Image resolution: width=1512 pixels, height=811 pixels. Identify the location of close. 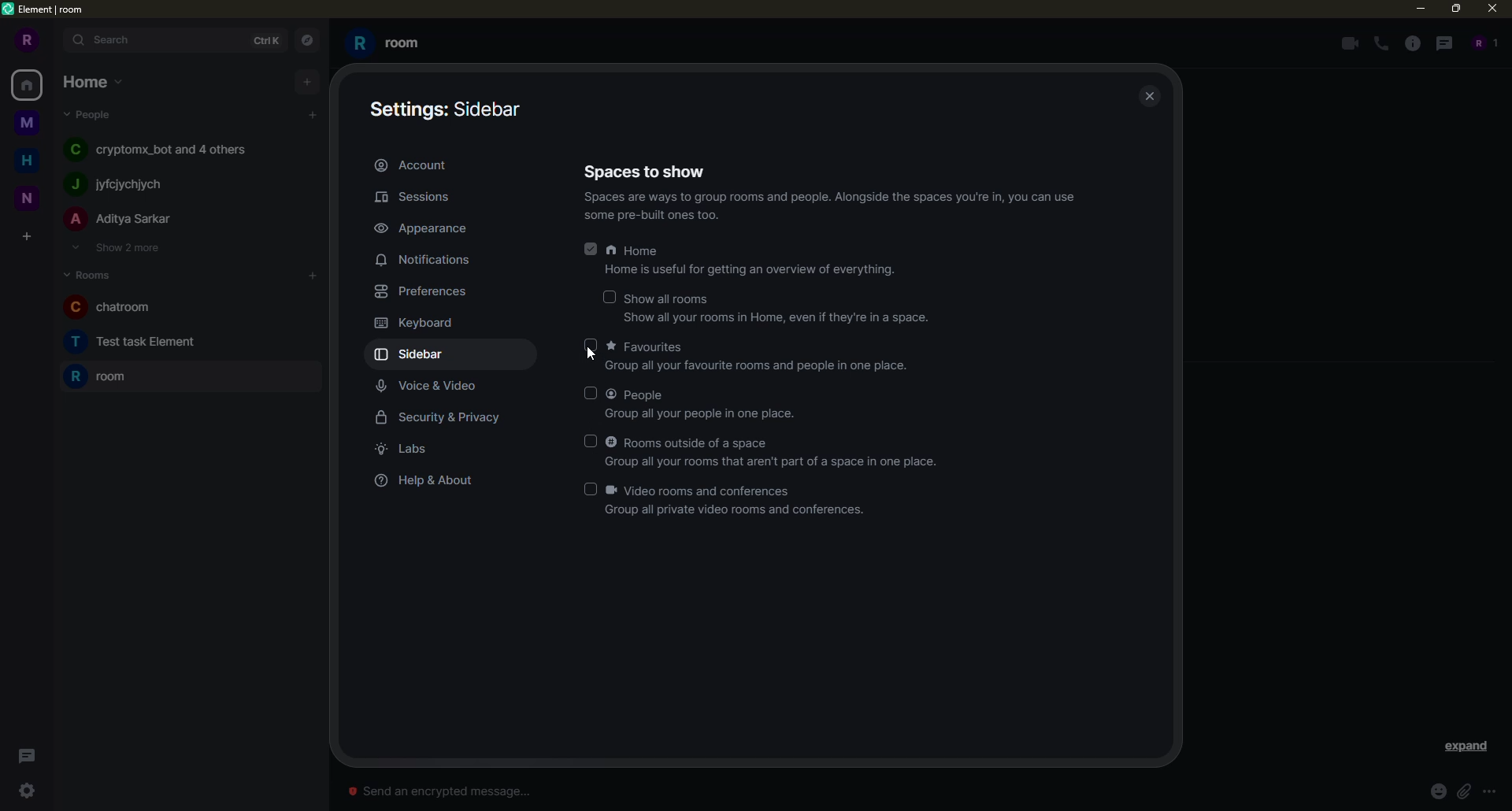
(1491, 12).